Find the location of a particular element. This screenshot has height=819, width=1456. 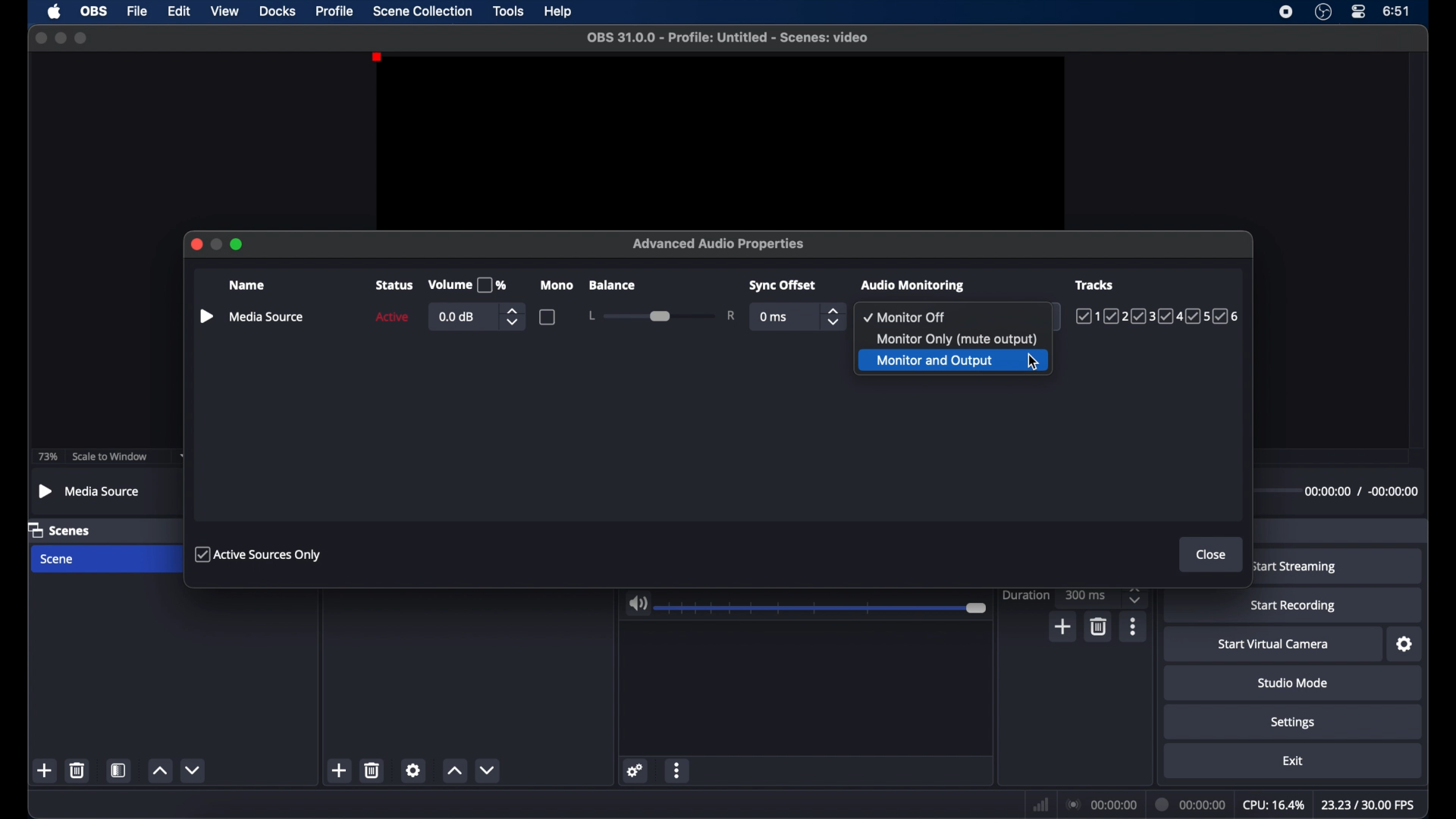

decrement is located at coordinates (195, 770).